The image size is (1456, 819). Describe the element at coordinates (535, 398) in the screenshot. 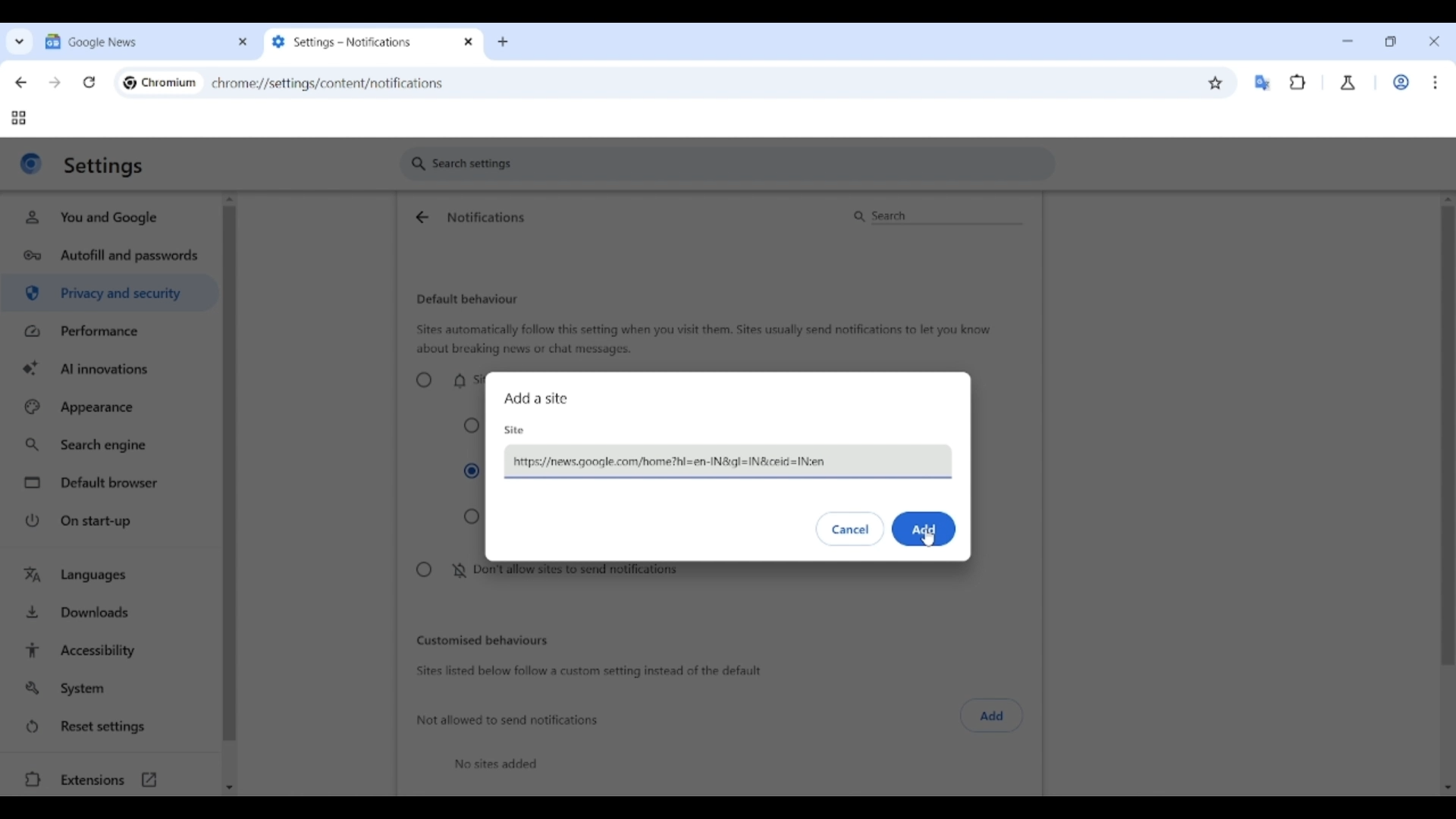

I see `Add a site` at that location.